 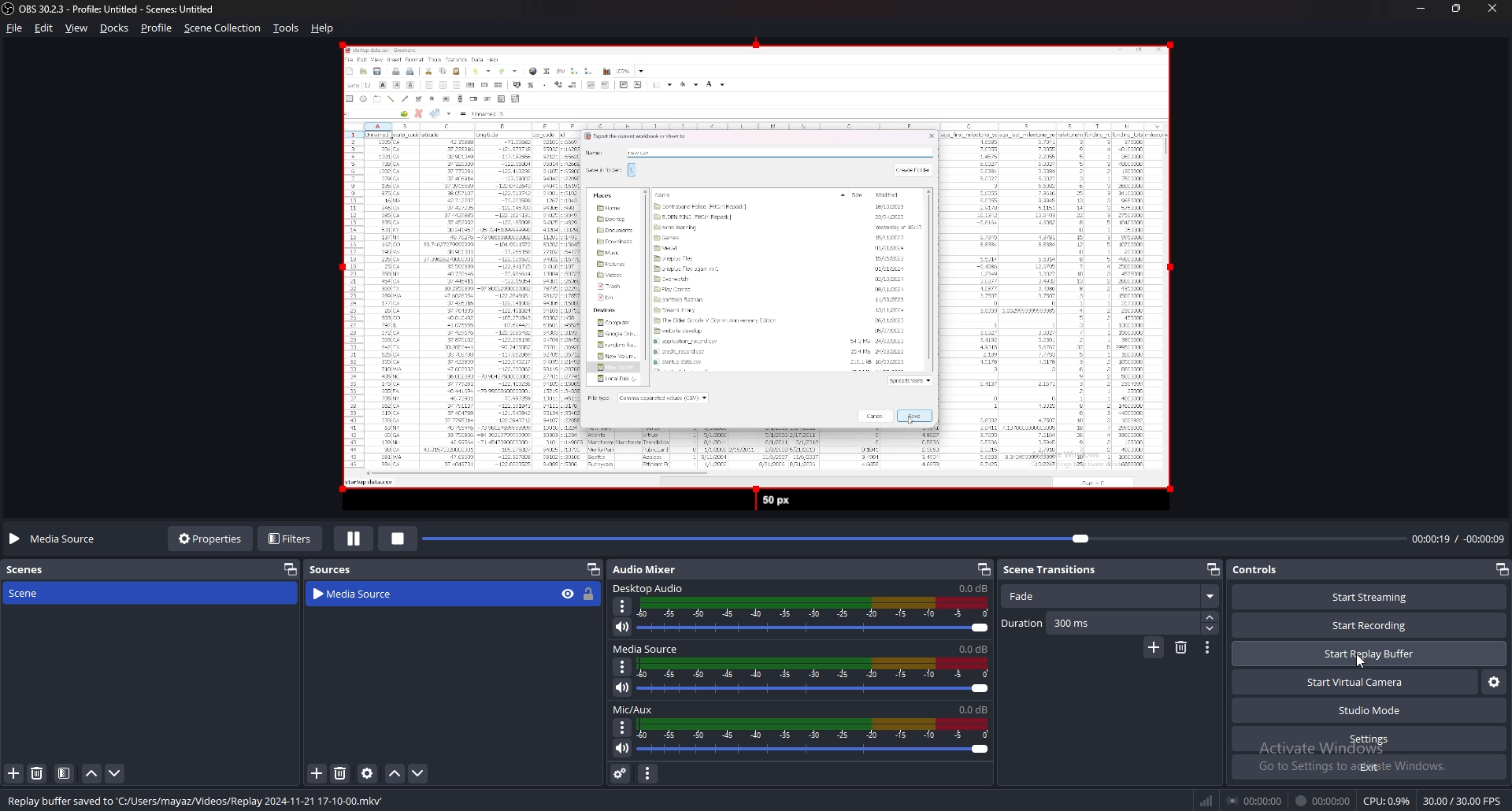 What do you see at coordinates (395, 773) in the screenshot?
I see `move source up` at bounding box center [395, 773].